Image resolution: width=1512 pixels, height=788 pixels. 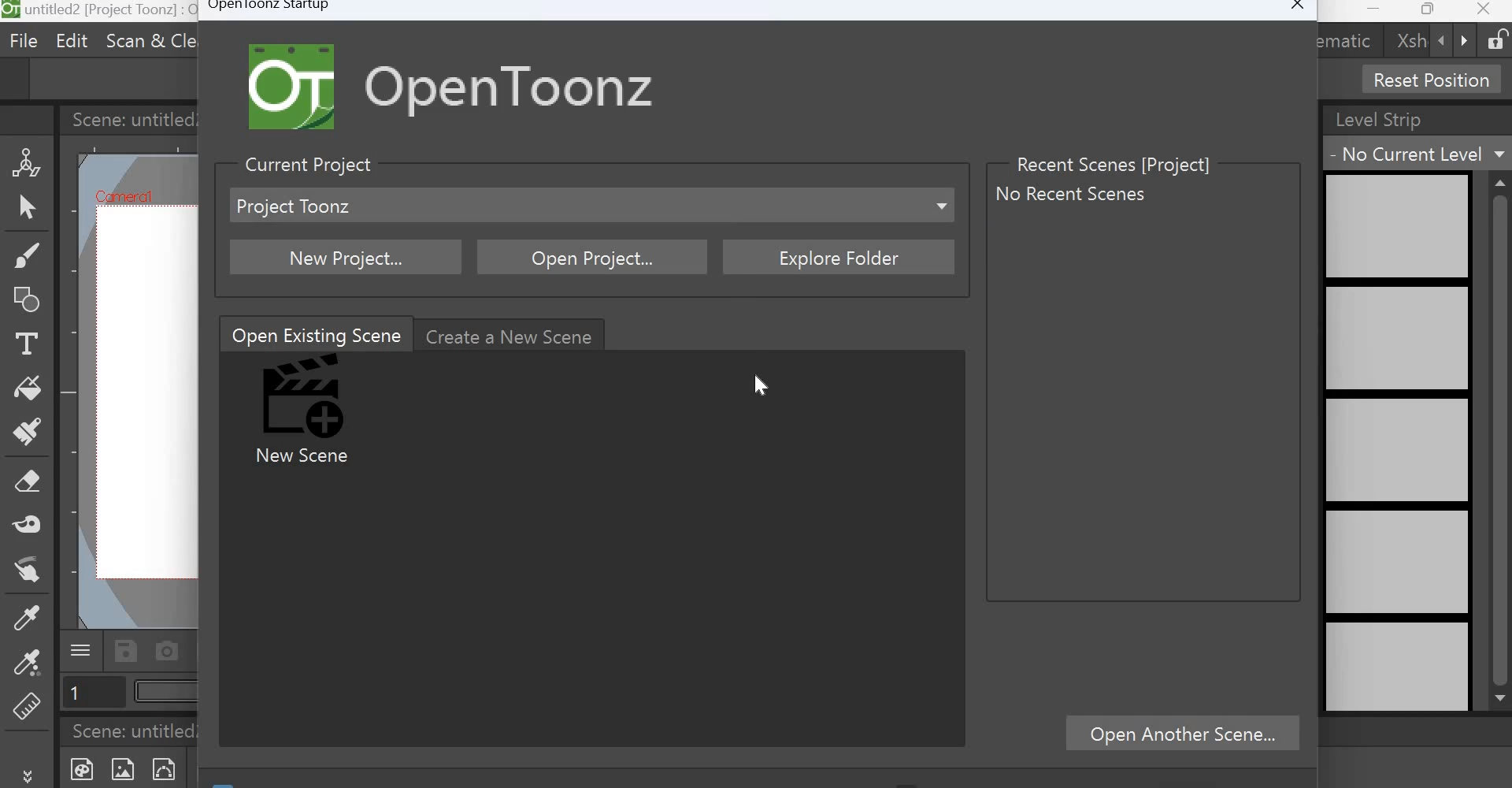 I want to click on Geometric Tool, so click(x=29, y=300).